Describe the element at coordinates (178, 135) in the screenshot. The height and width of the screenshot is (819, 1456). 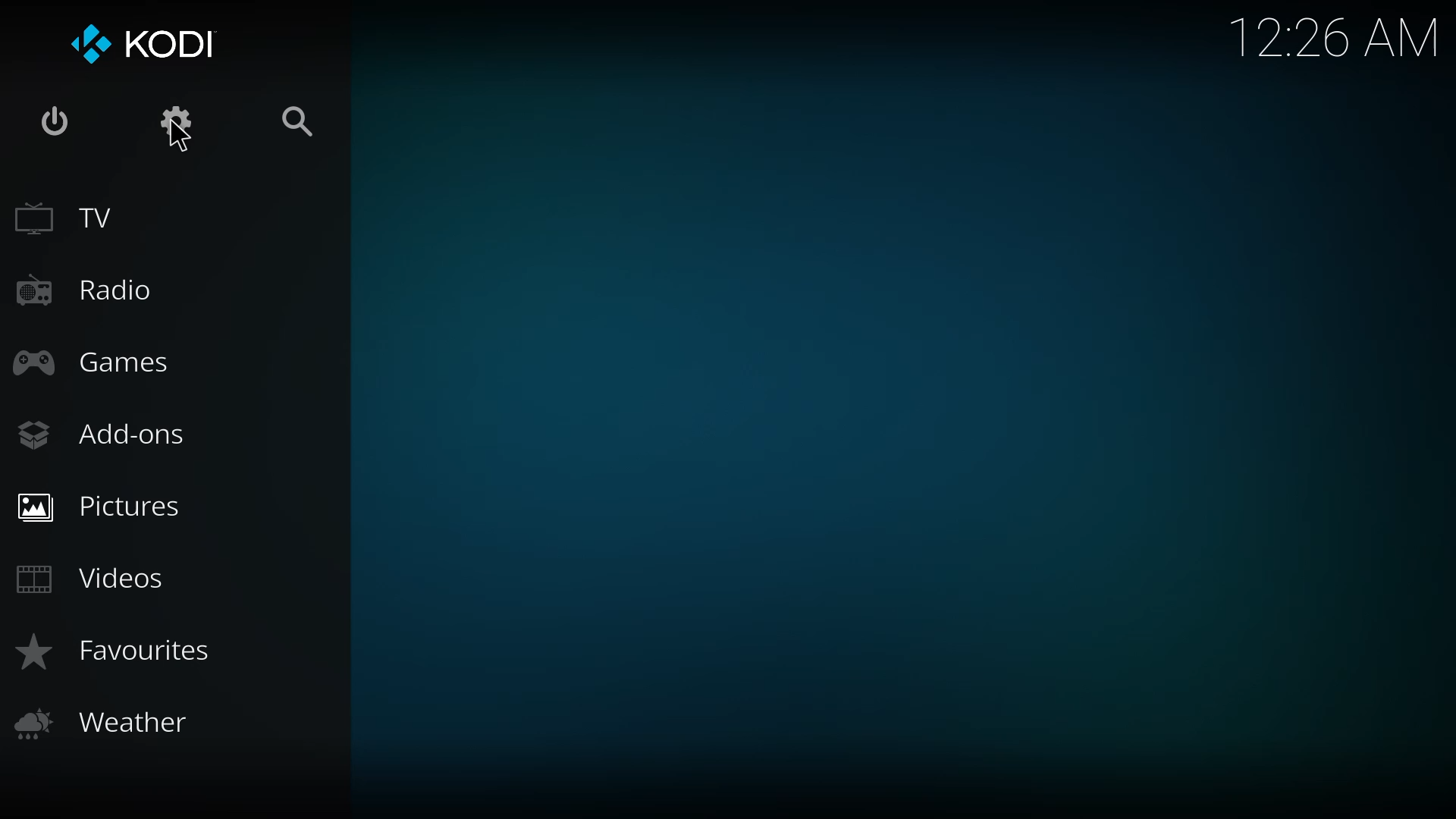
I see `cursor` at that location.